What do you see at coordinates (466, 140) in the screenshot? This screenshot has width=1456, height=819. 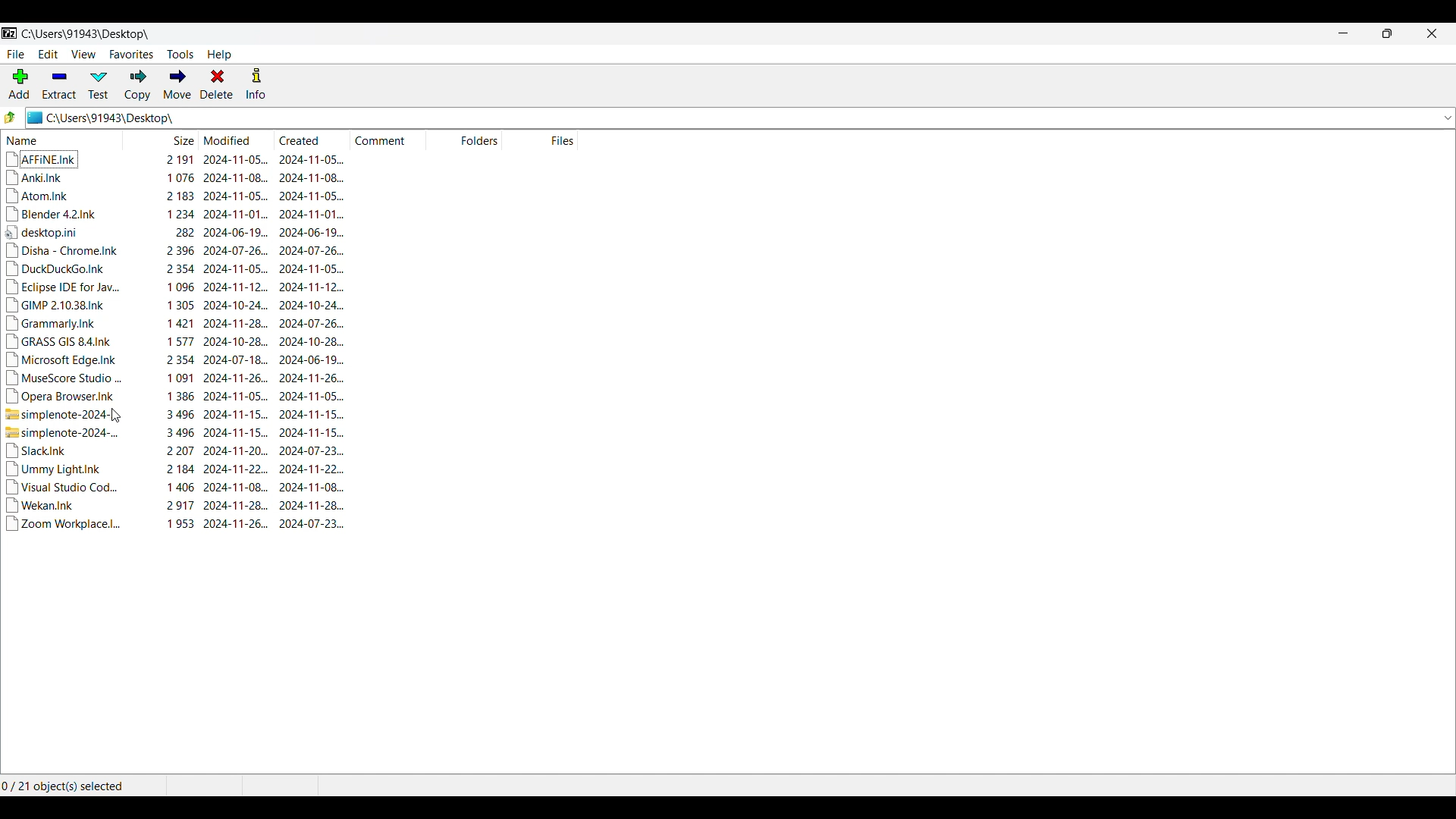 I see `Folders` at bounding box center [466, 140].